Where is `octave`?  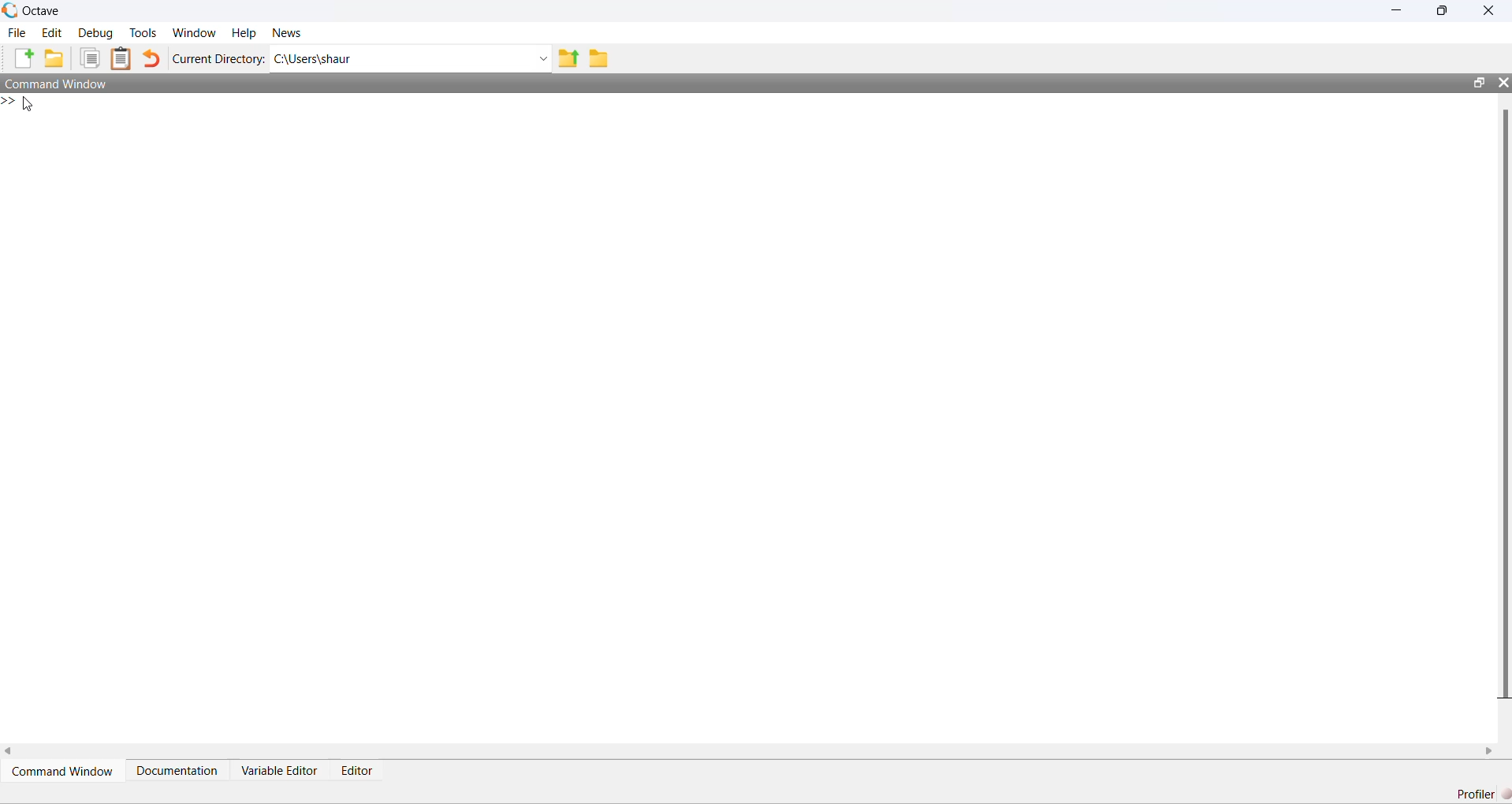 octave is located at coordinates (43, 11).